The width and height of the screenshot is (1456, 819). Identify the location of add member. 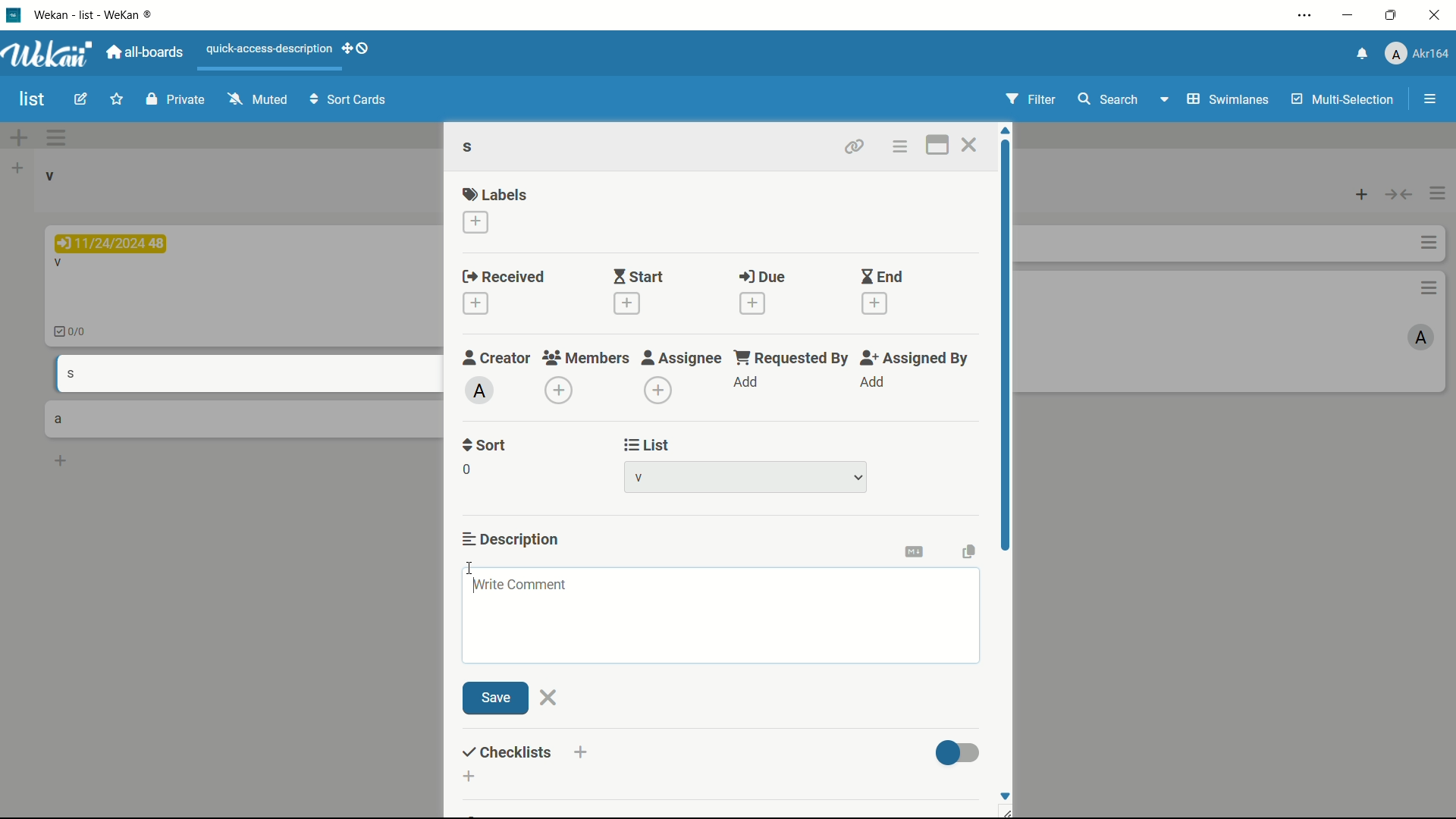
(558, 391).